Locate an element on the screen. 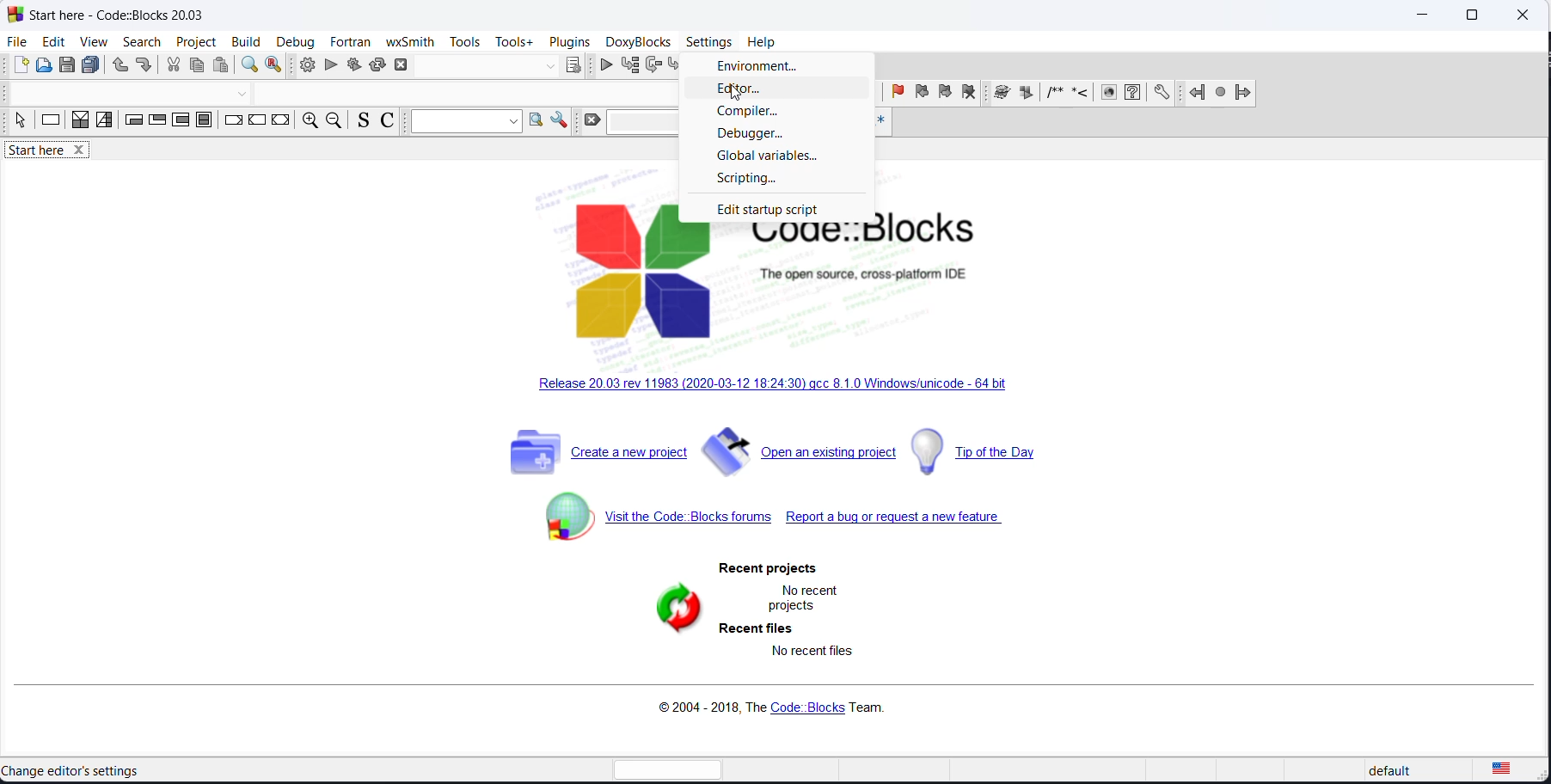 The width and height of the screenshot is (1551, 784). icon is located at coordinates (1002, 94).